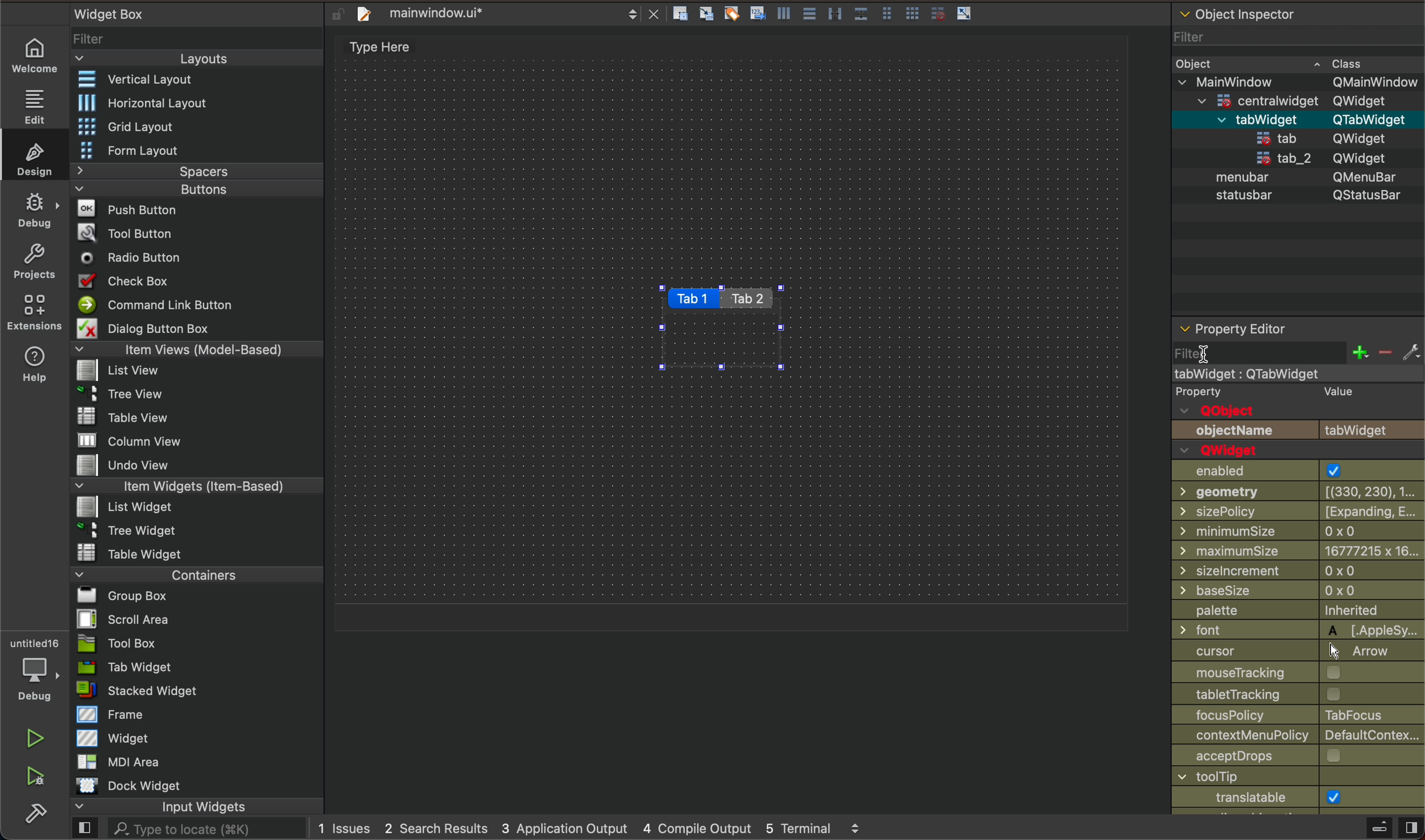 Image resolution: width=1425 pixels, height=840 pixels. Describe the element at coordinates (1303, 440) in the screenshot. I see `object name and Qwidget` at that location.